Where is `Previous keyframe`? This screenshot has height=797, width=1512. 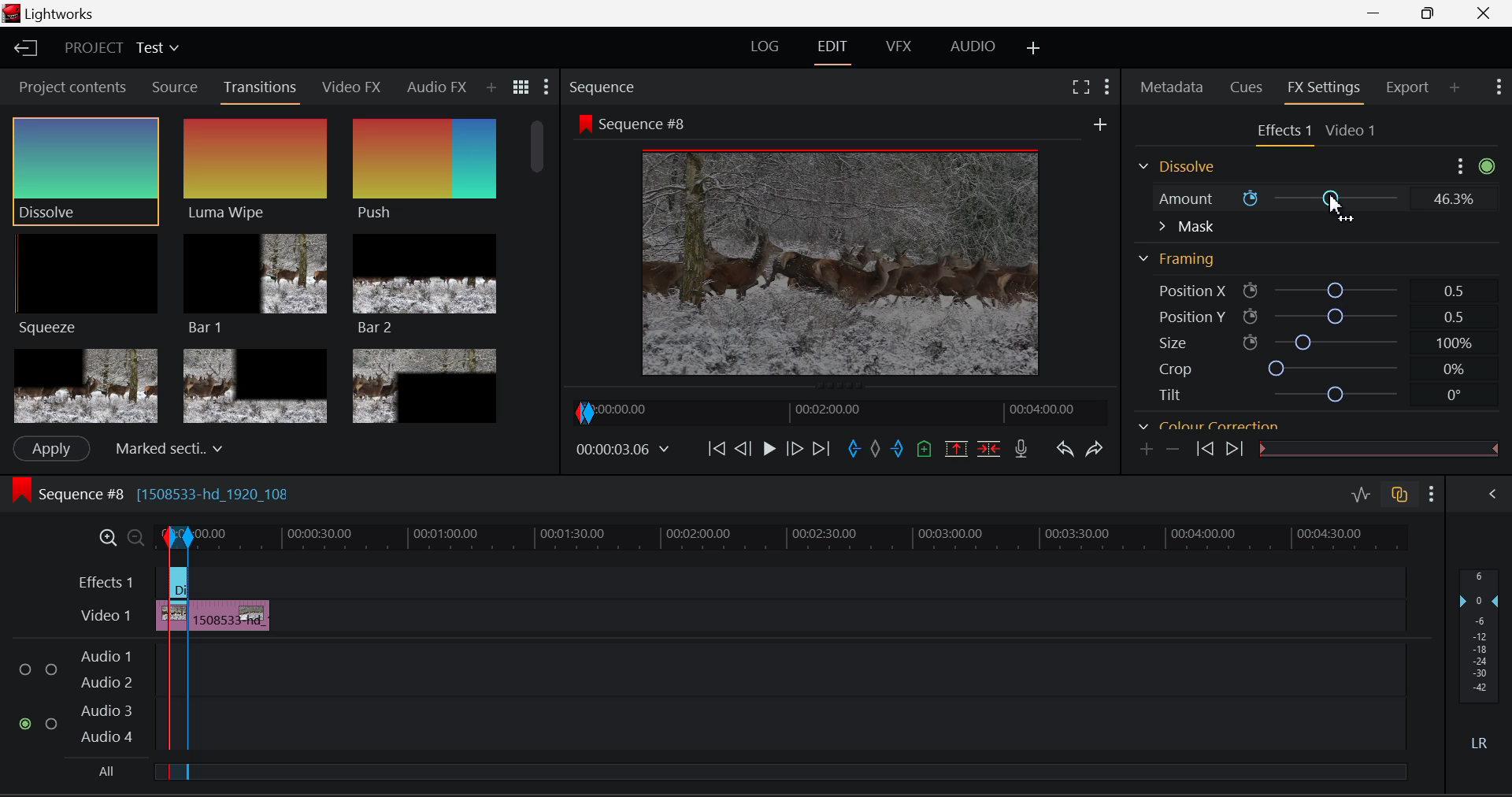
Previous keyframe is located at coordinates (1204, 449).